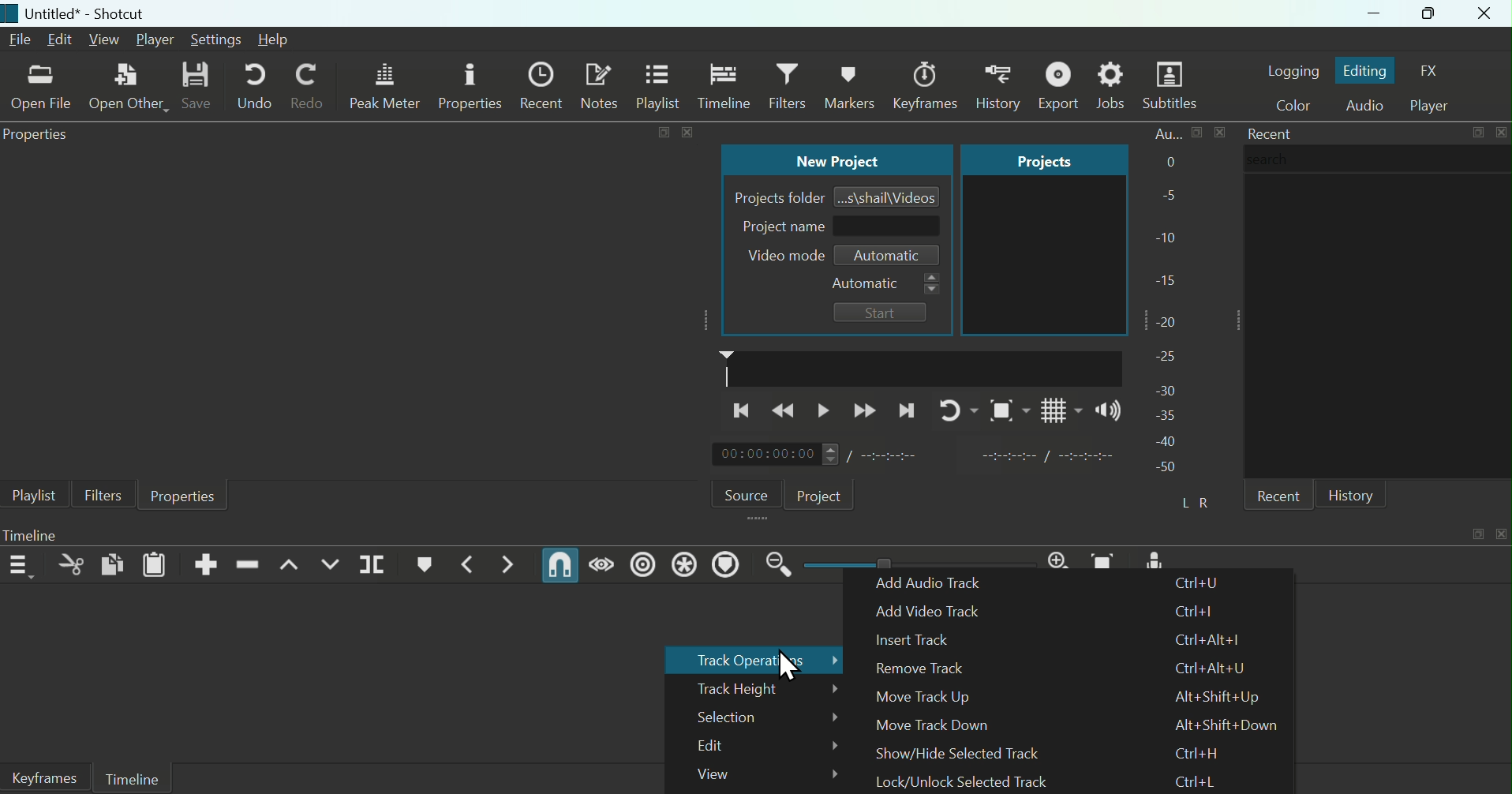 Image resolution: width=1512 pixels, height=794 pixels. What do you see at coordinates (1062, 85) in the screenshot?
I see `Export` at bounding box center [1062, 85].